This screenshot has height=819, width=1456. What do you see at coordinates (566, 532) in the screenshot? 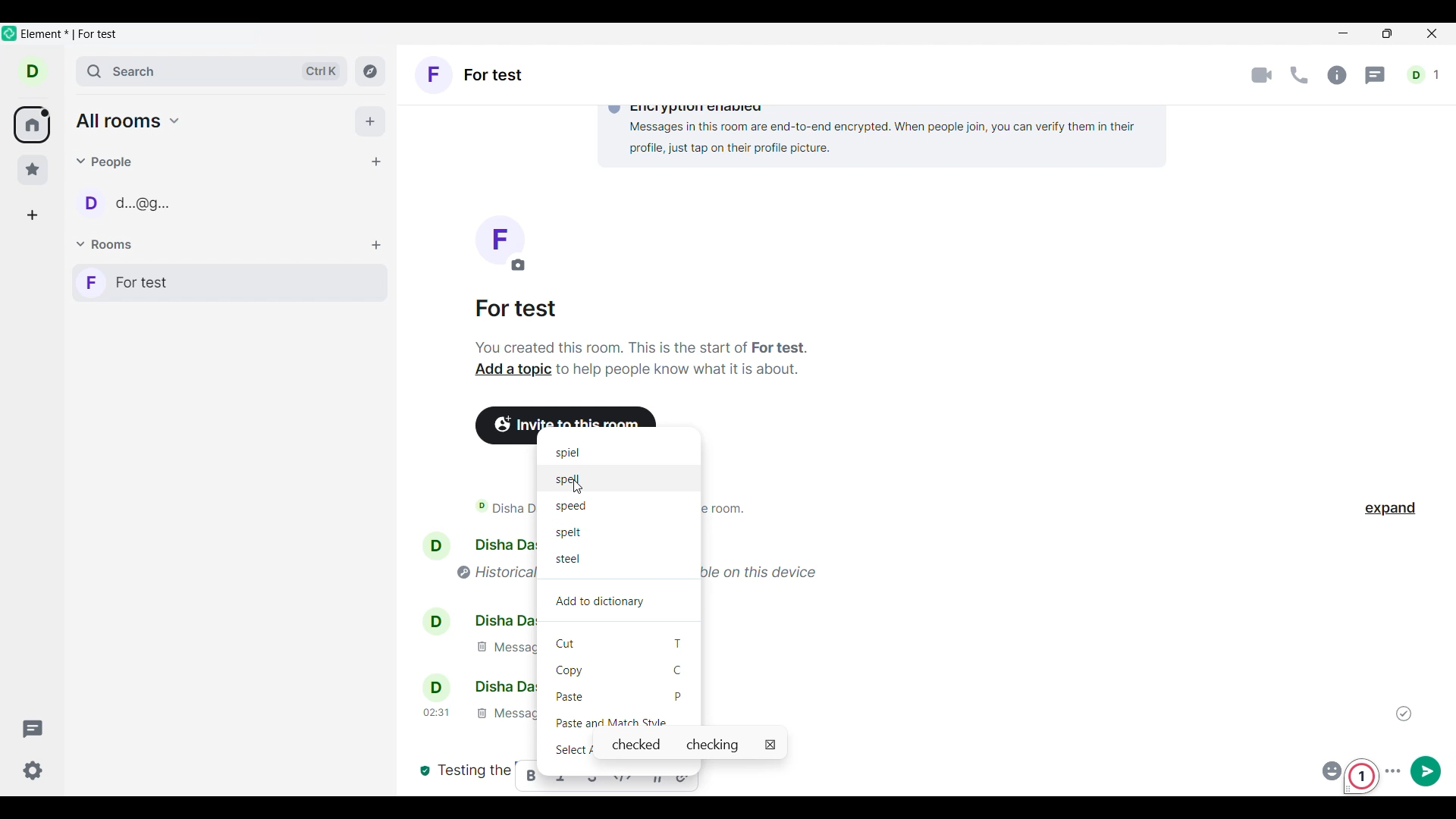
I see `spelt` at bounding box center [566, 532].